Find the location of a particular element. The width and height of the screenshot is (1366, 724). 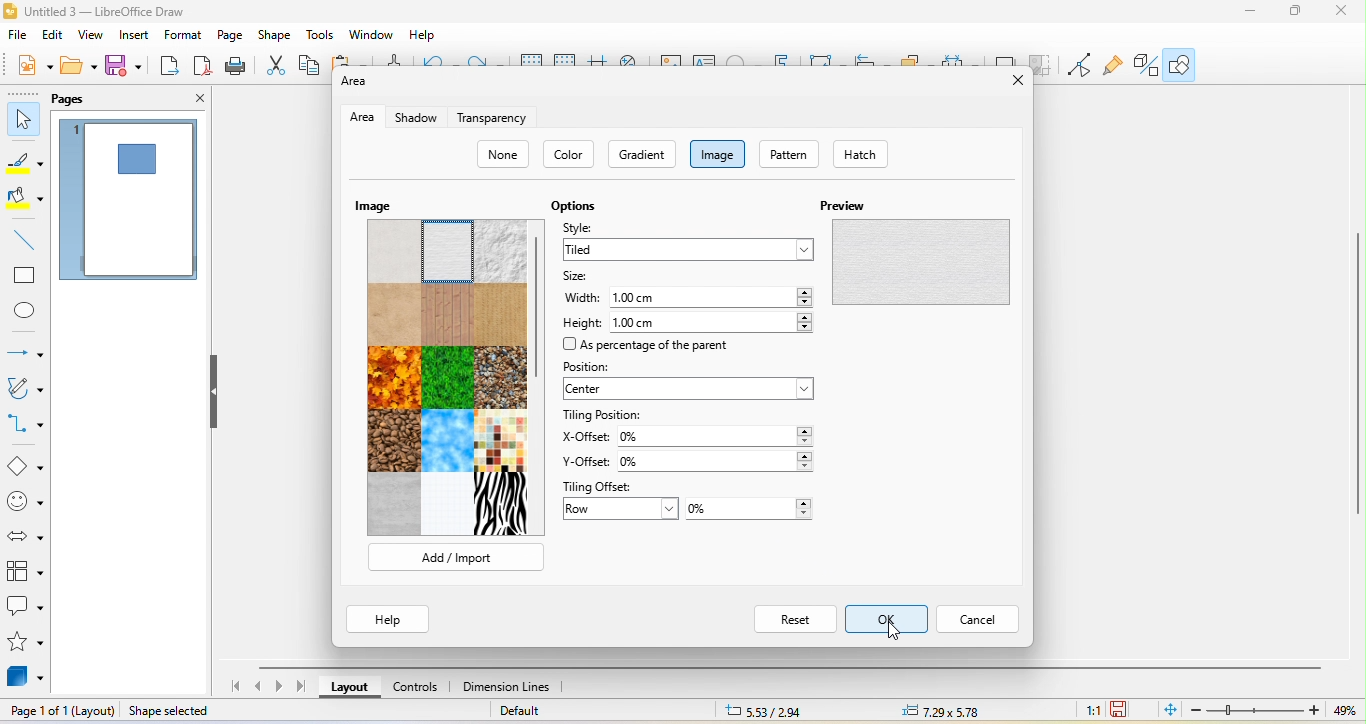

width is located at coordinates (582, 300).